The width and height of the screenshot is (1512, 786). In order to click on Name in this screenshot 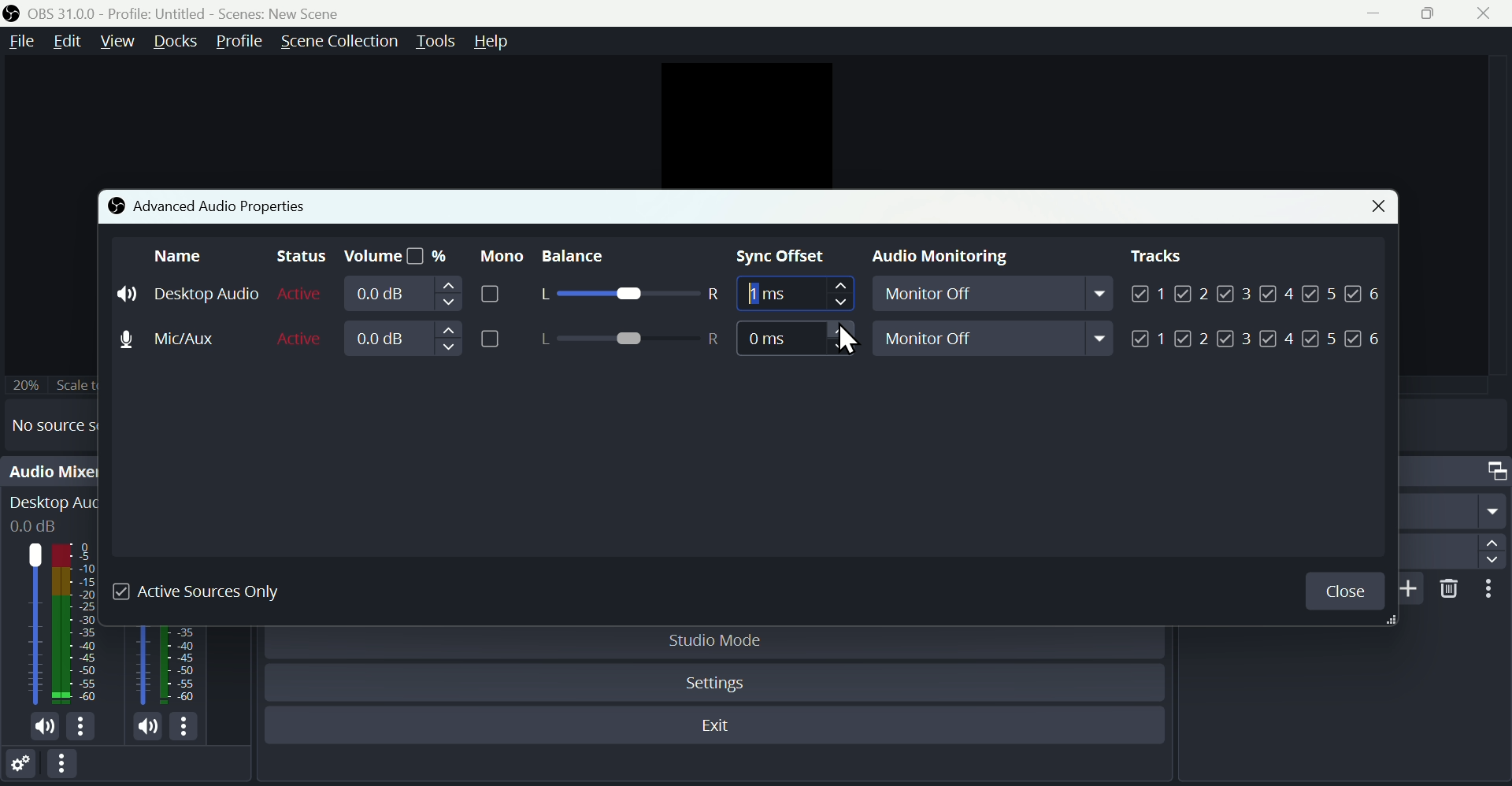, I will do `click(180, 255)`.